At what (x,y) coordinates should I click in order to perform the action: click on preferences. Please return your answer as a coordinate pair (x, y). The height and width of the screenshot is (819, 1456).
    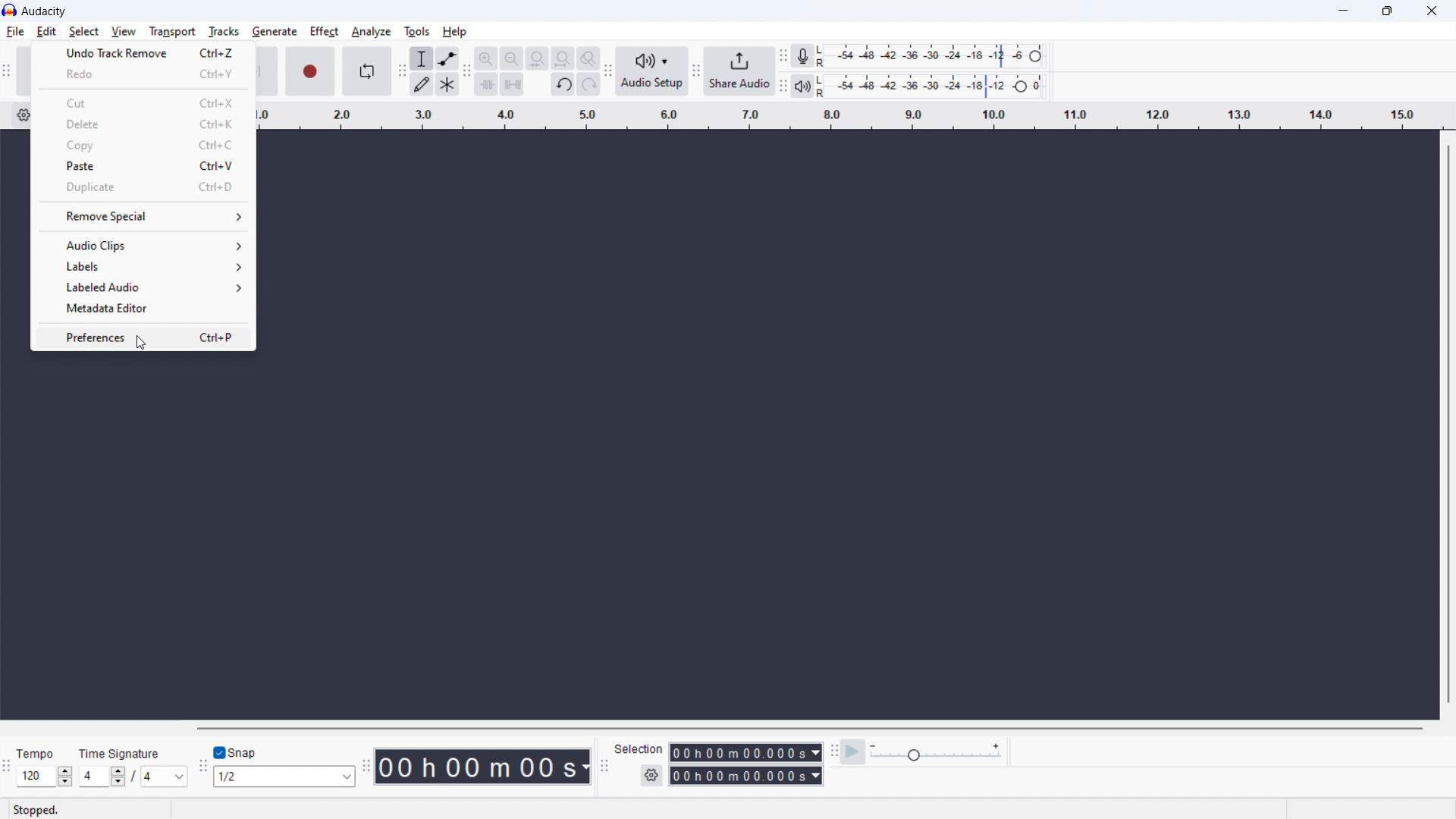
    Looking at the image, I should click on (143, 337).